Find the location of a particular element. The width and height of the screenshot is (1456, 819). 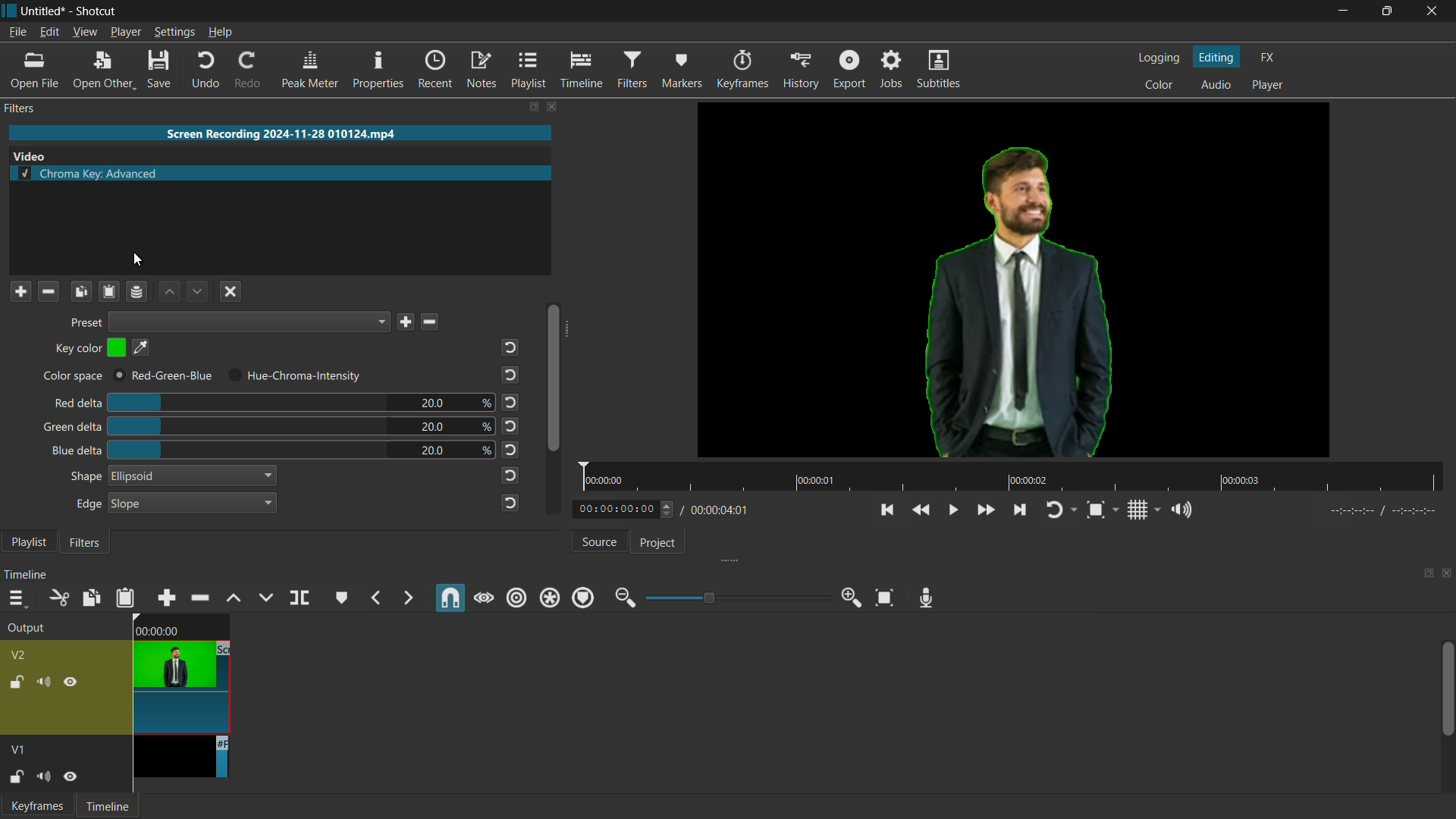

filter is located at coordinates (83, 541).